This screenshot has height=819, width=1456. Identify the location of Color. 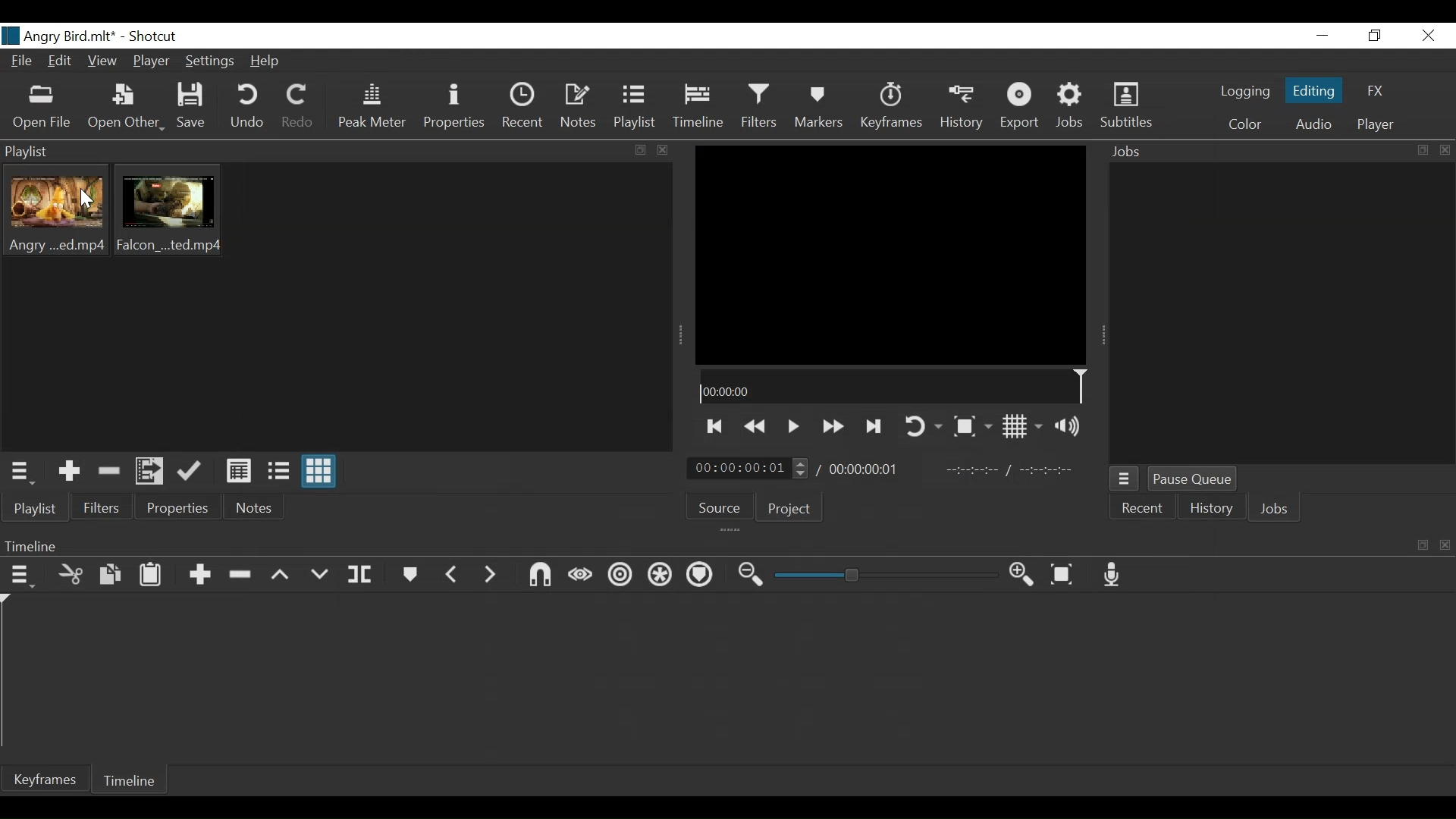
(1245, 125).